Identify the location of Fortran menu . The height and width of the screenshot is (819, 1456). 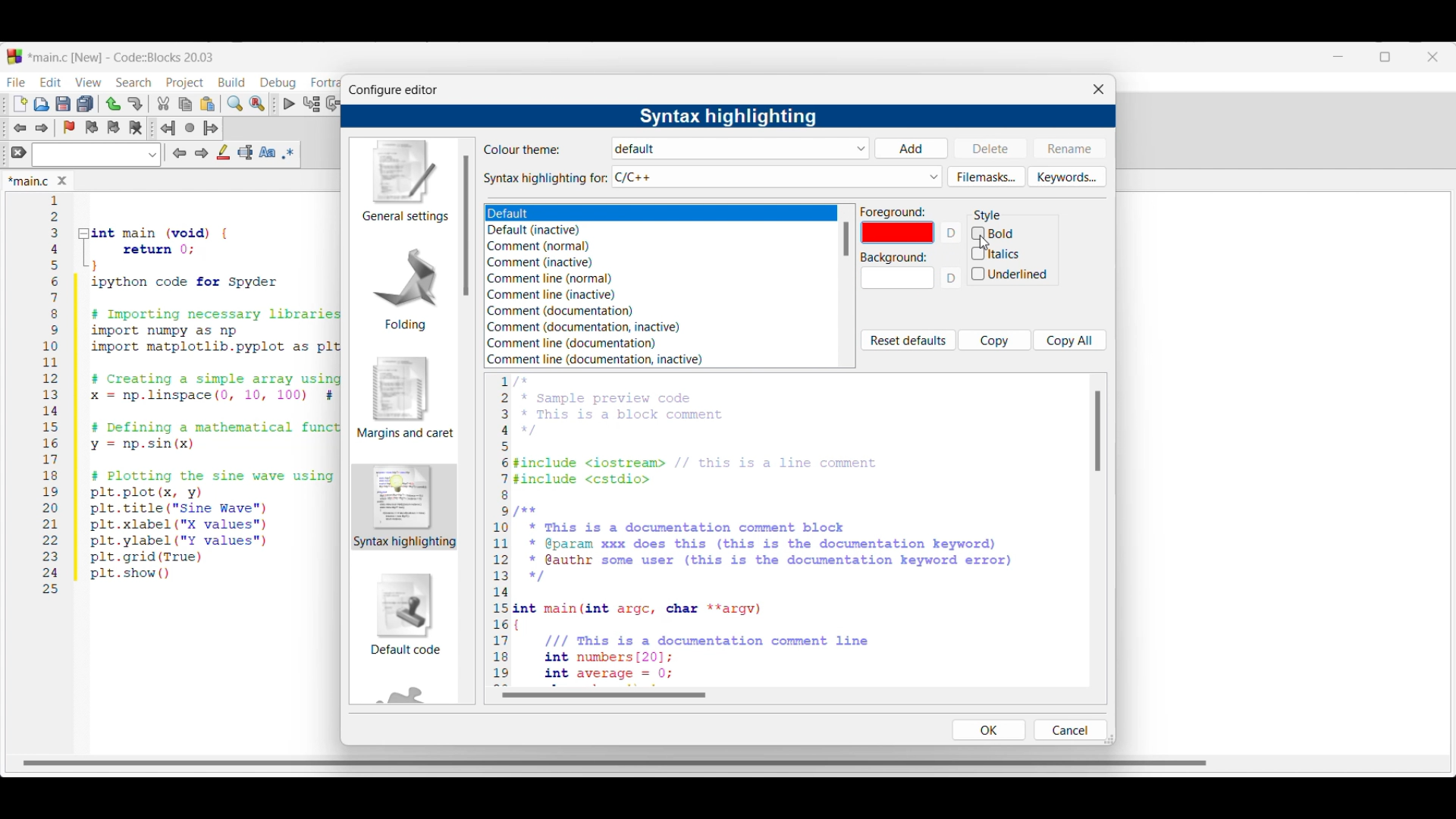
(325, 83).